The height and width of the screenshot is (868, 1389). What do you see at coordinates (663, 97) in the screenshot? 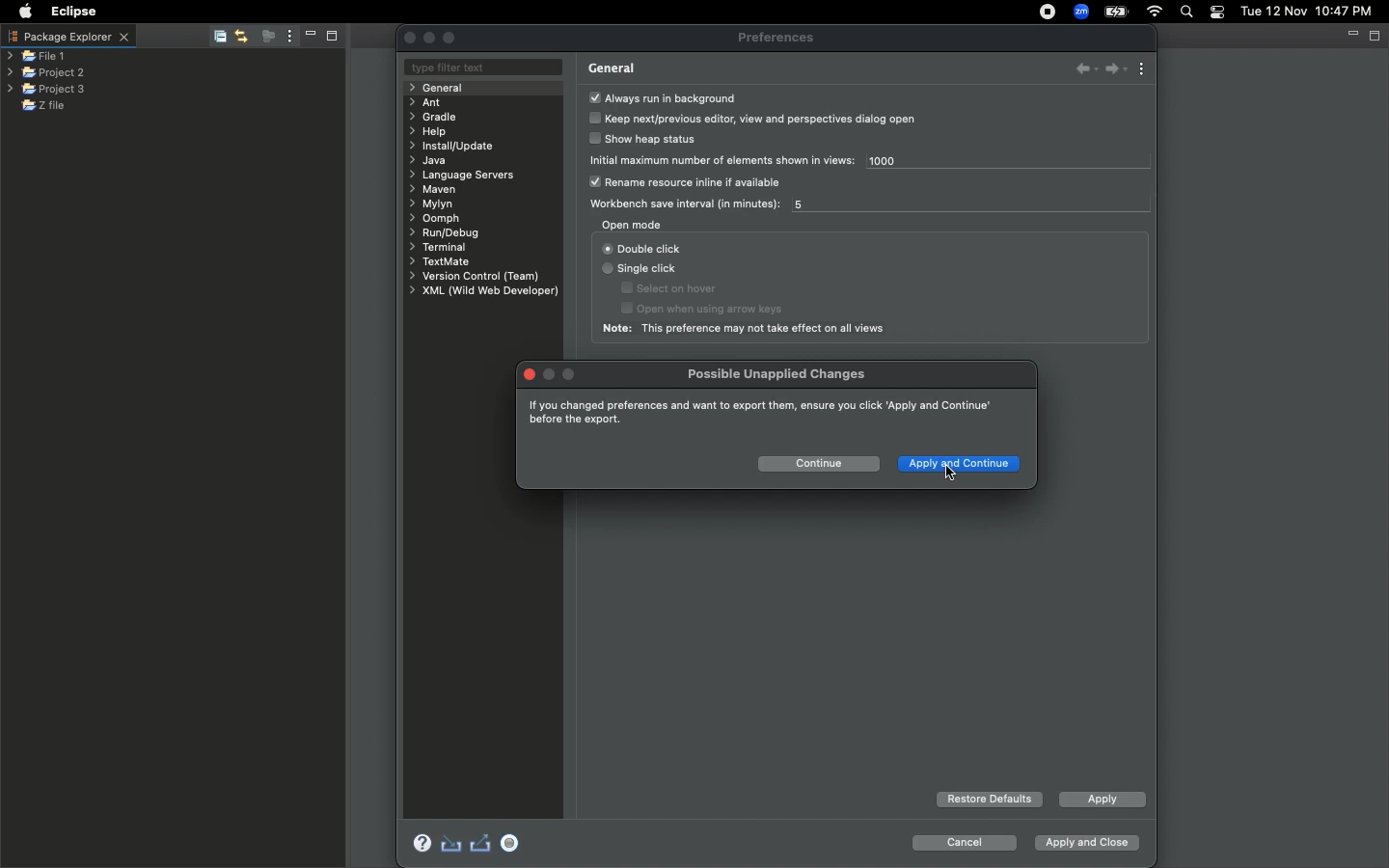
I see `Always run in background` at bounding box center [663, 97].